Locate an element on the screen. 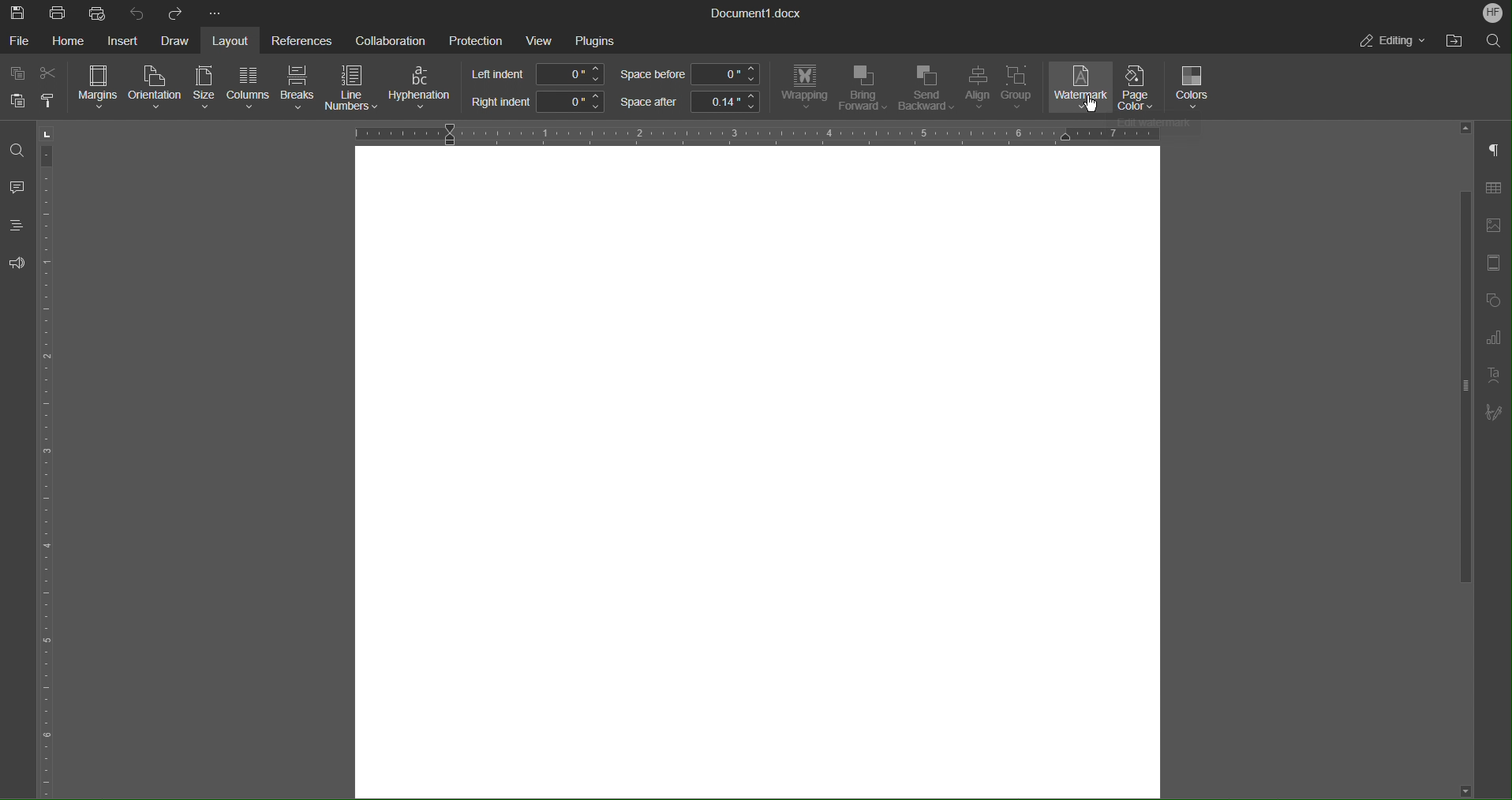 This screenshot has width=1512, height=800. Size is located at coordinates (202, 88).